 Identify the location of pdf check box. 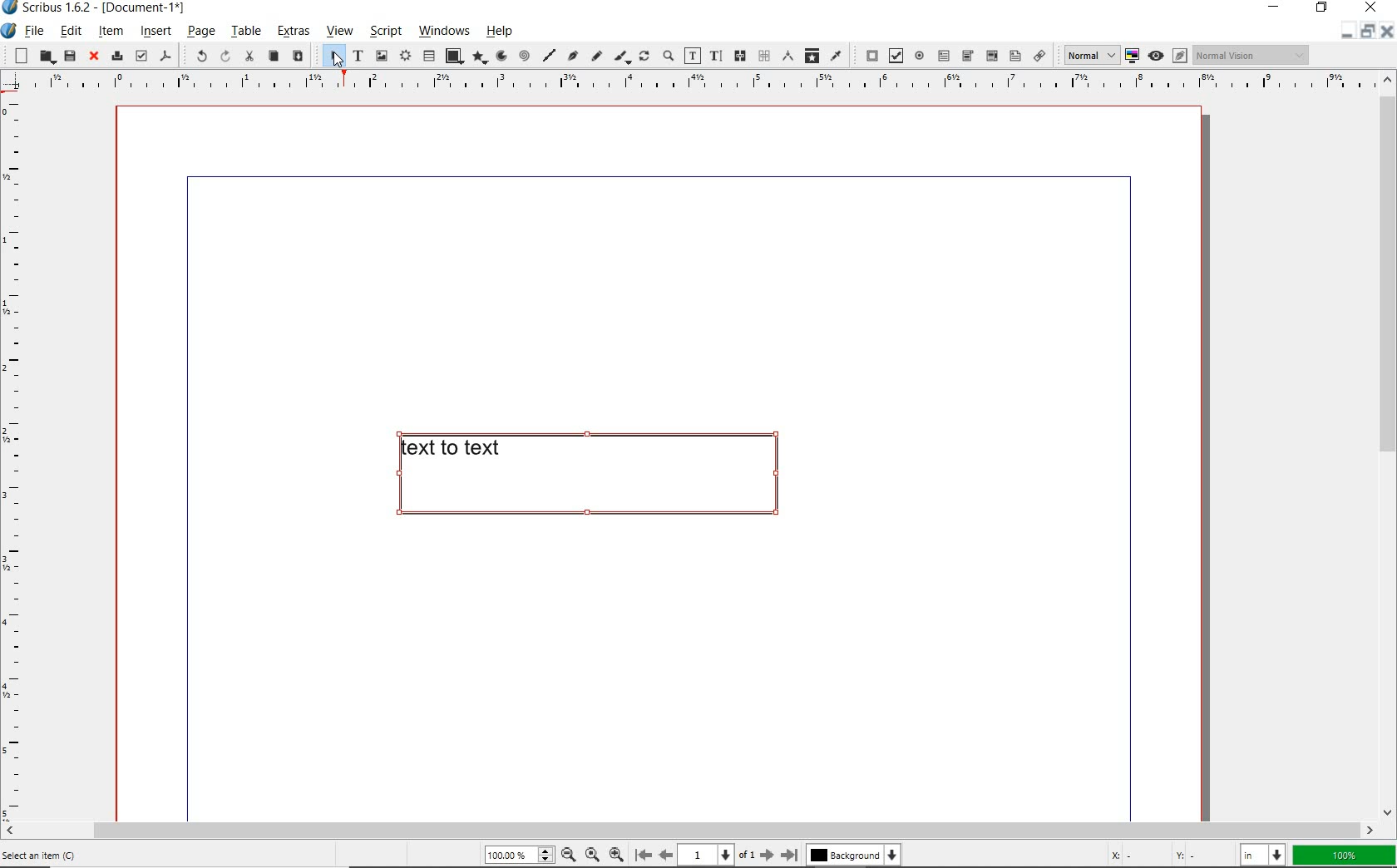
(895, 56).